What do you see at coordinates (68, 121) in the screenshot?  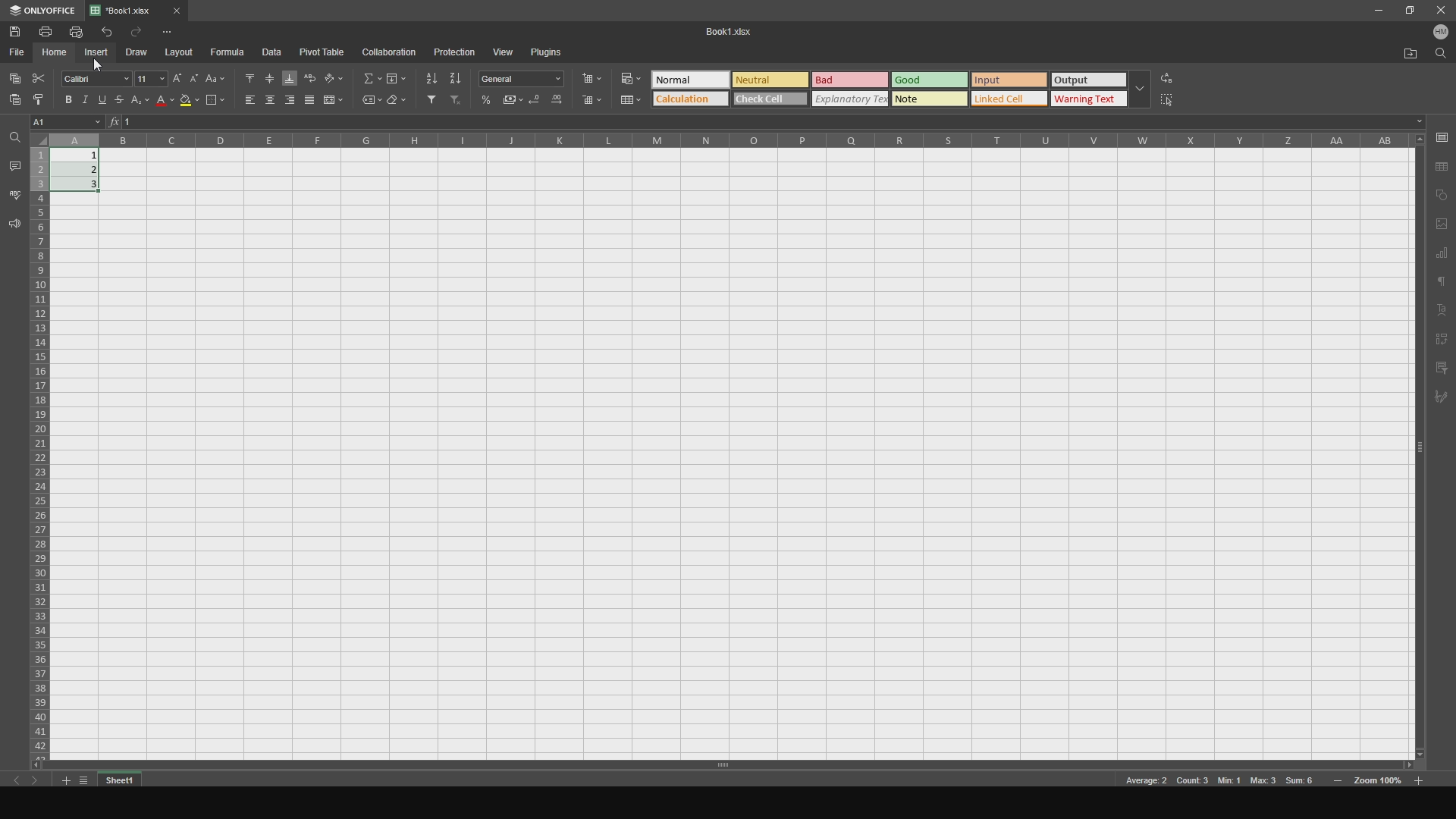 I see `cell` at bounding box center [68, 121].